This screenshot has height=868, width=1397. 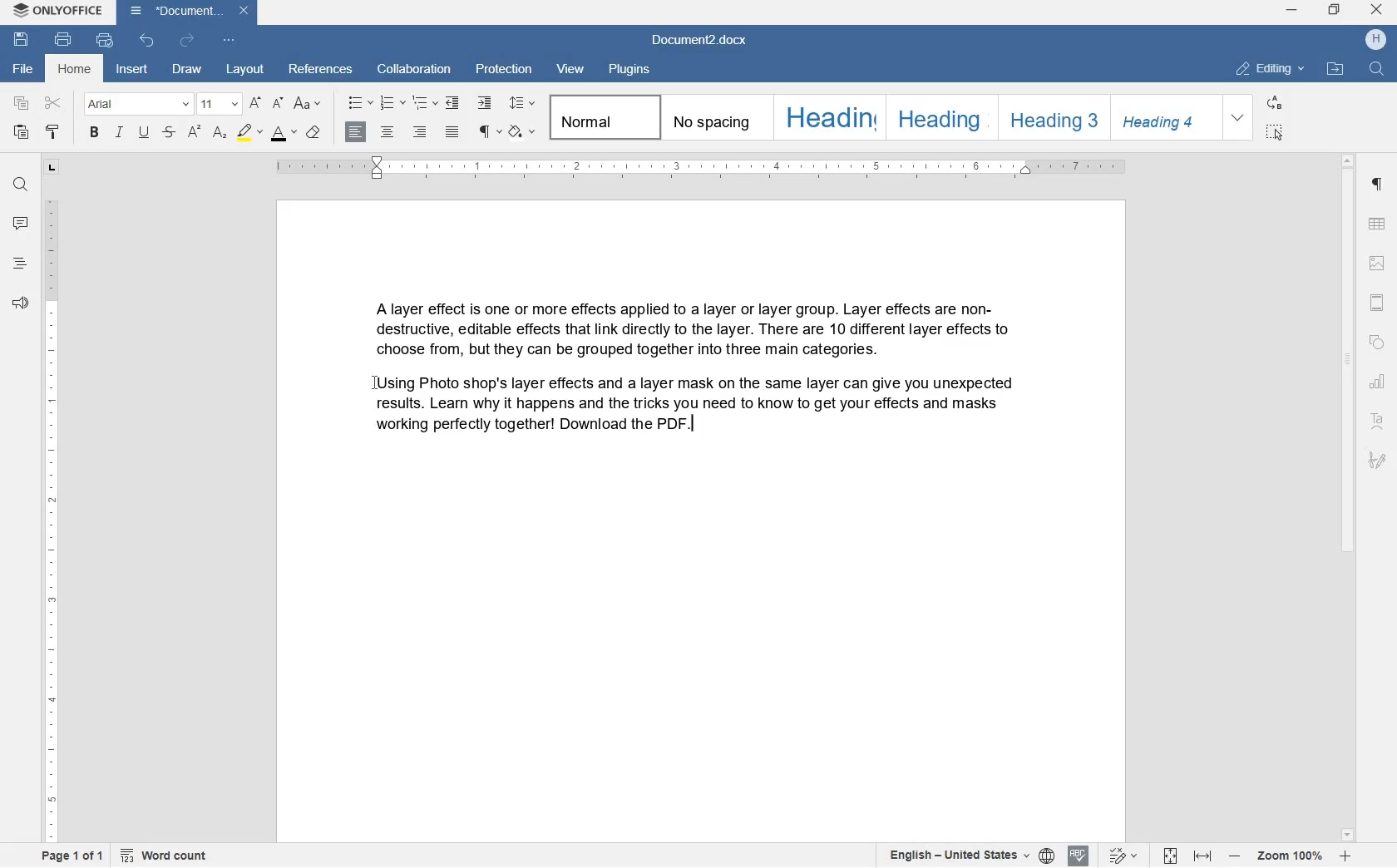 I want to click on SHAPE, so click(x=1378, y=344).